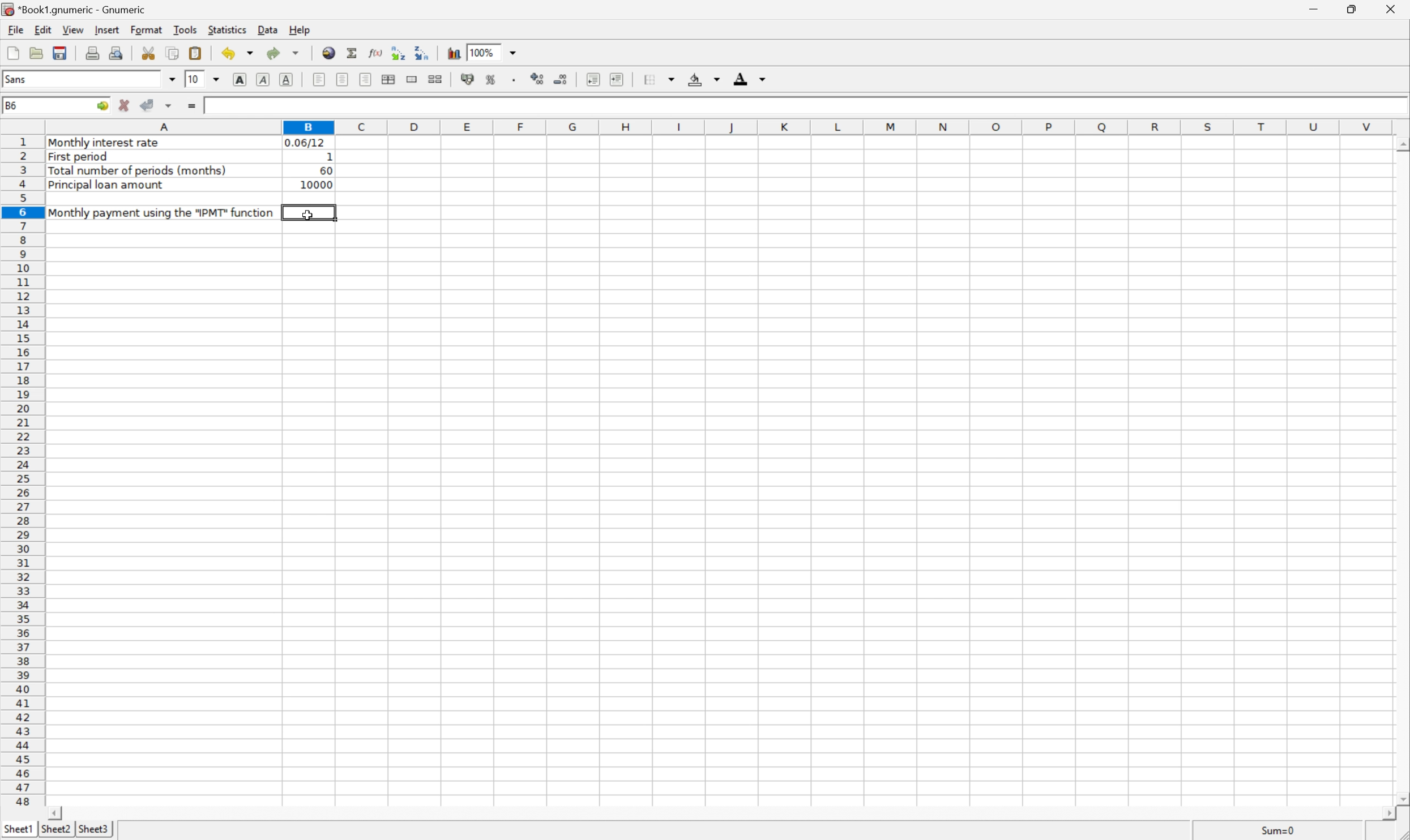 The image size is (1410, 840). What do you see at coordinates (592, 79) in the screenshot?
I see `Decrease indent, and align the contents to the left` at bounding box center [592, 79].